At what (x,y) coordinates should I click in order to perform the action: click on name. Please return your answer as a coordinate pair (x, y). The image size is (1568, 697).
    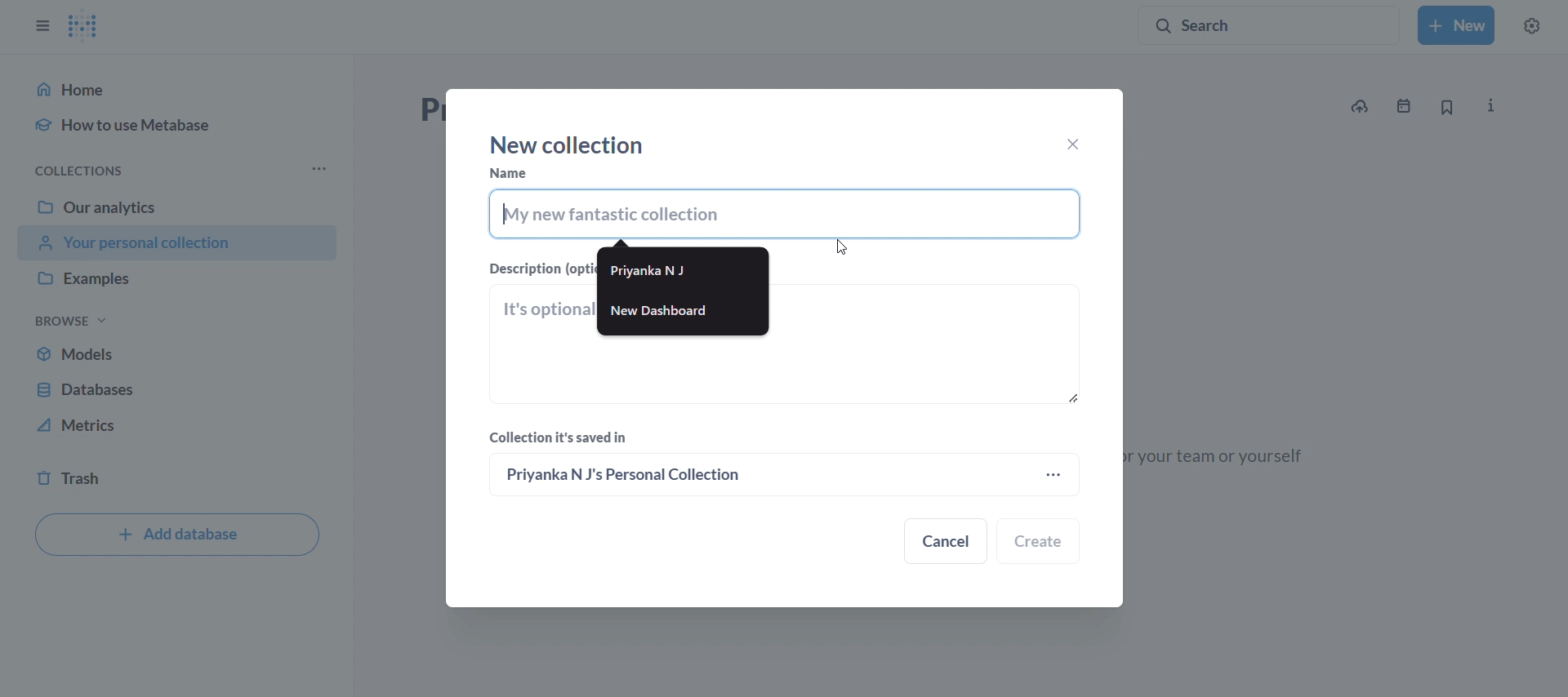
    Looking at the image, I should click on (508, 173).